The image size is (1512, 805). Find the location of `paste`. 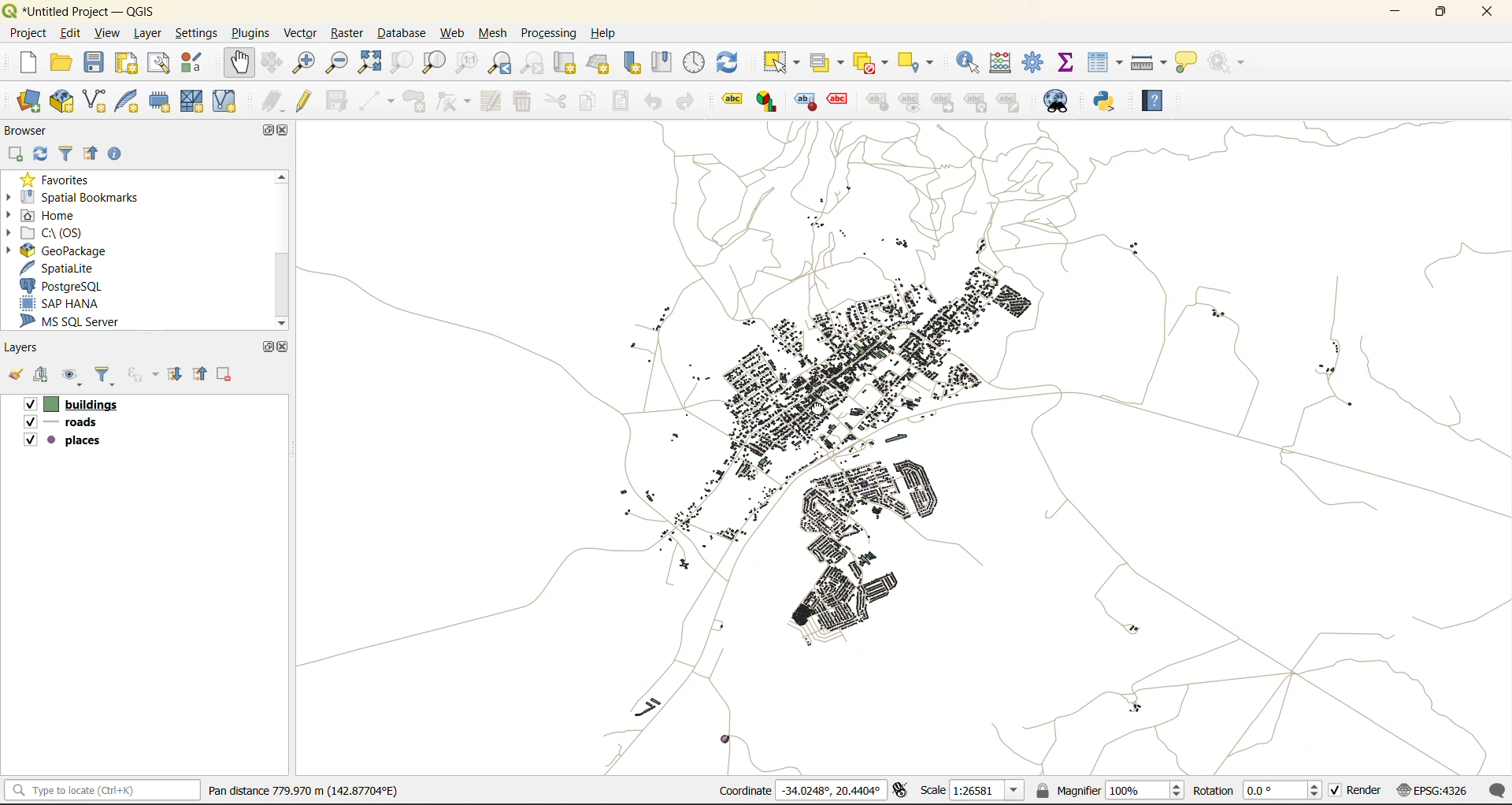

paste is located at coordinates (623, 100).